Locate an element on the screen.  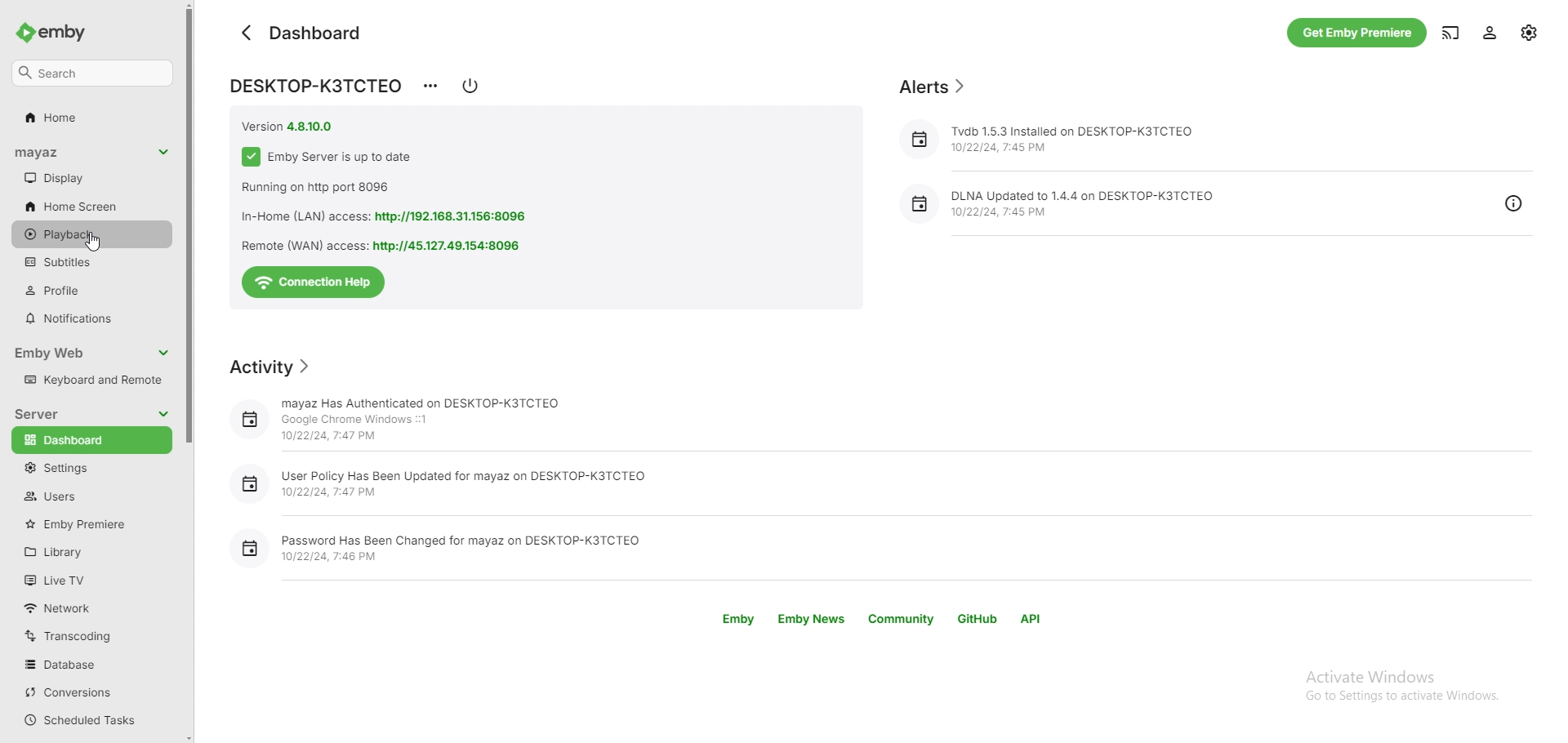
running on http port 8096 is located at coordinates (319, 186).